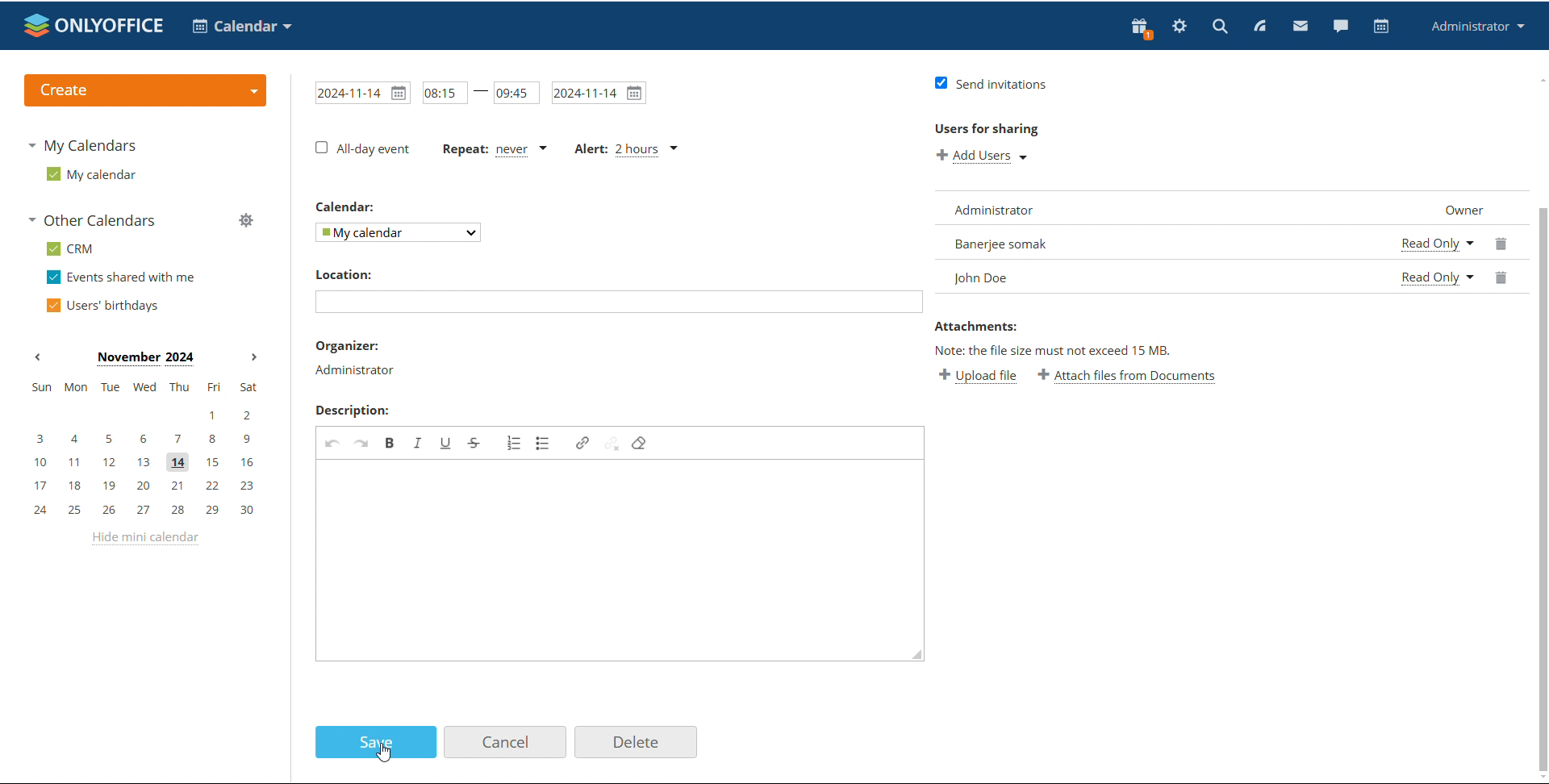 This screenshot has width=1549, height=784. What do you see at coordinates (491, 151) in the screenshot?
I see `event repetition` at bounding box center [491, 151].